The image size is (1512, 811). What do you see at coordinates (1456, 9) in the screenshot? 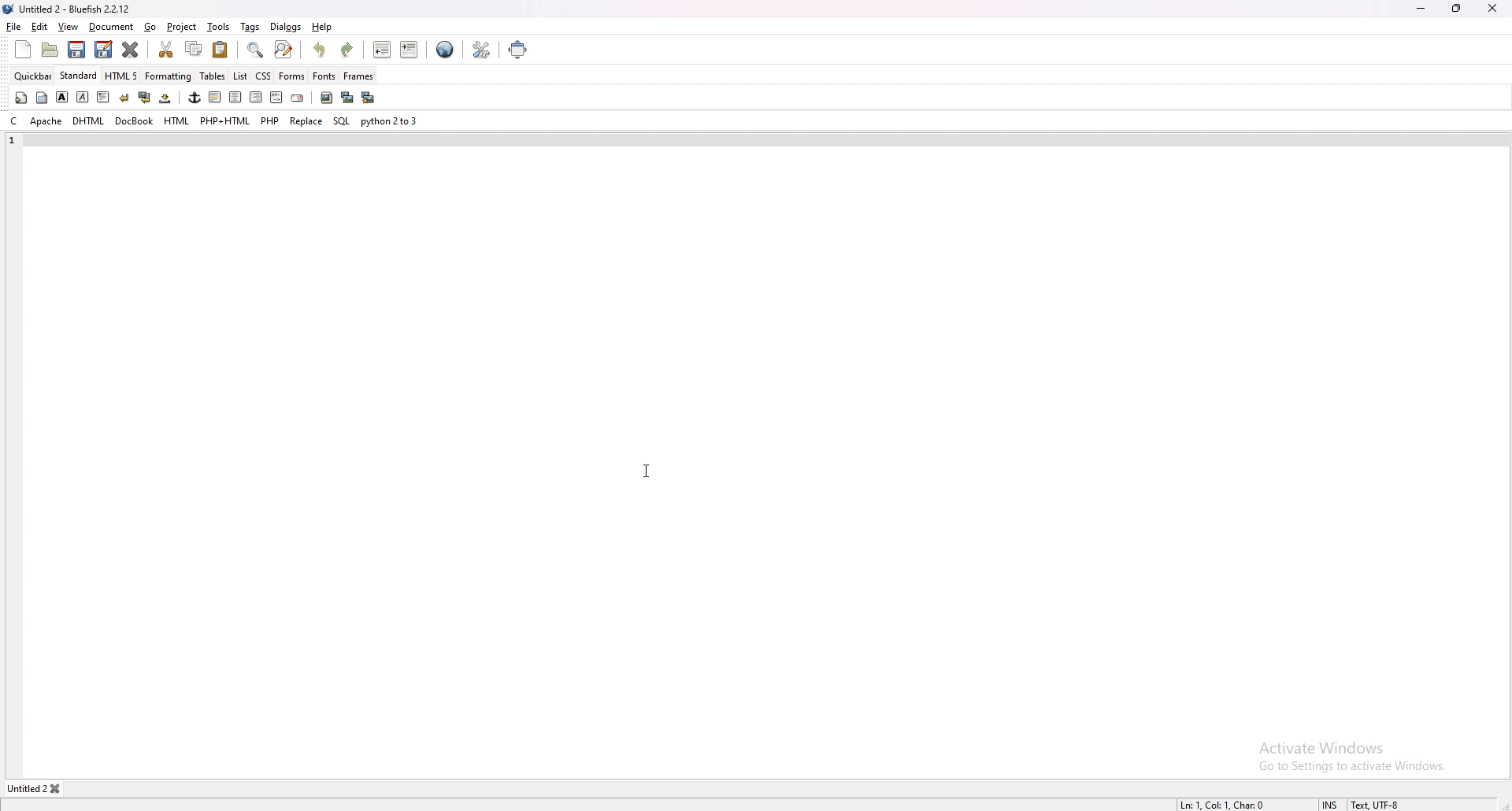
I see `resize` at bounding box center [1456, 9].